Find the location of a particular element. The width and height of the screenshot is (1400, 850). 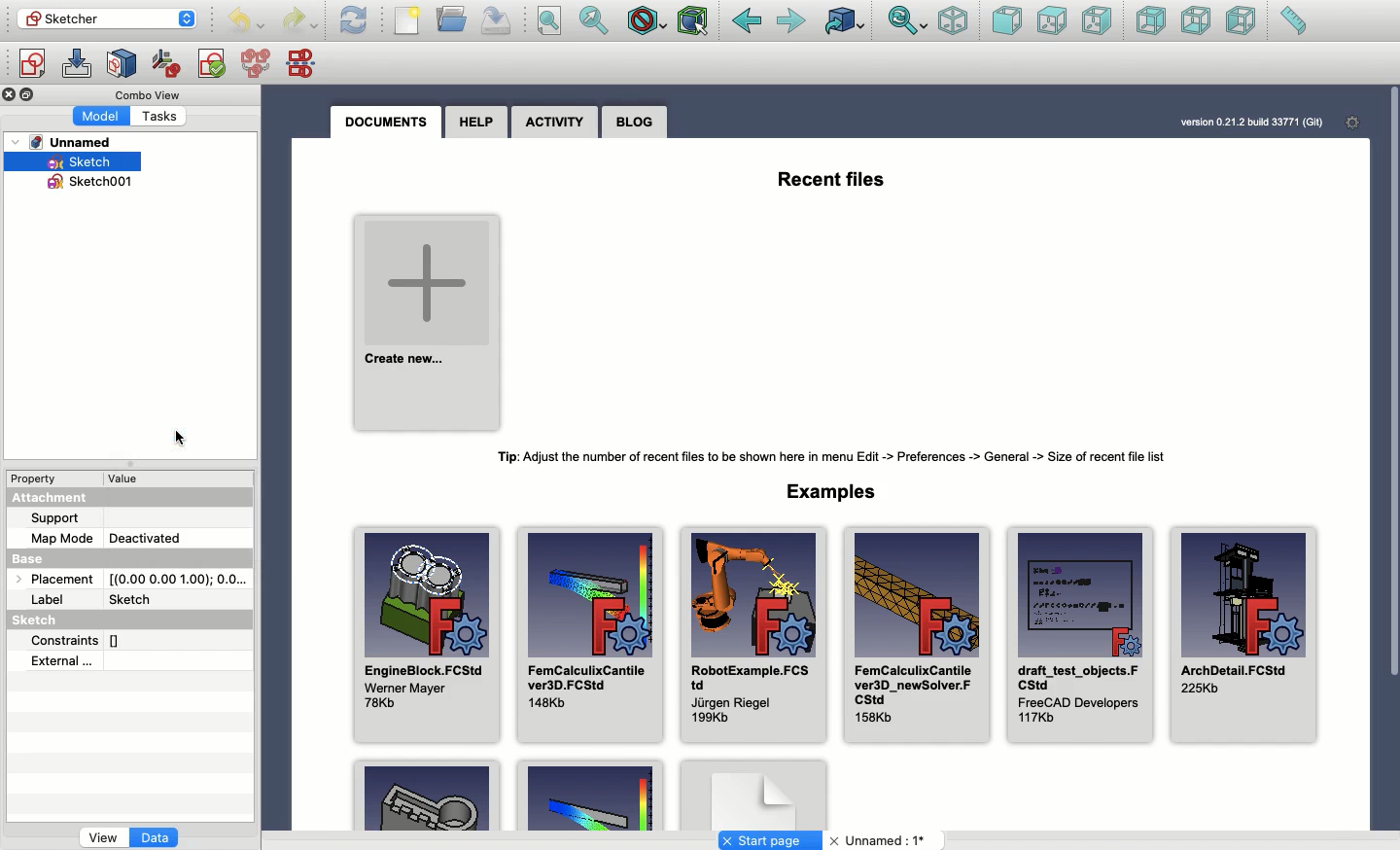

View is located at coordinates (103, 839).